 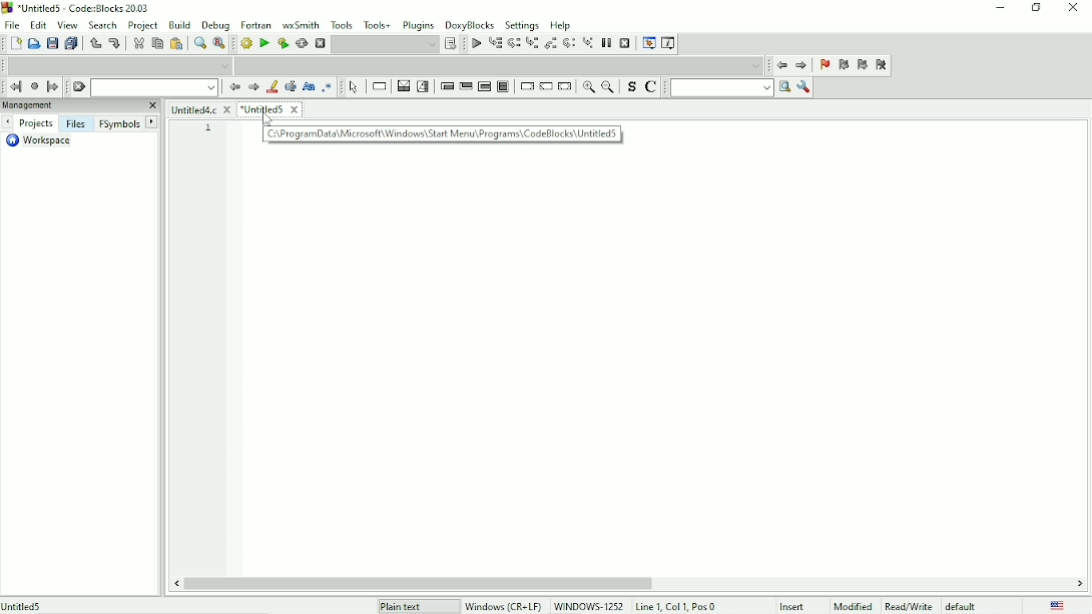 I want to click on Step out, so click(x=551, y=44).